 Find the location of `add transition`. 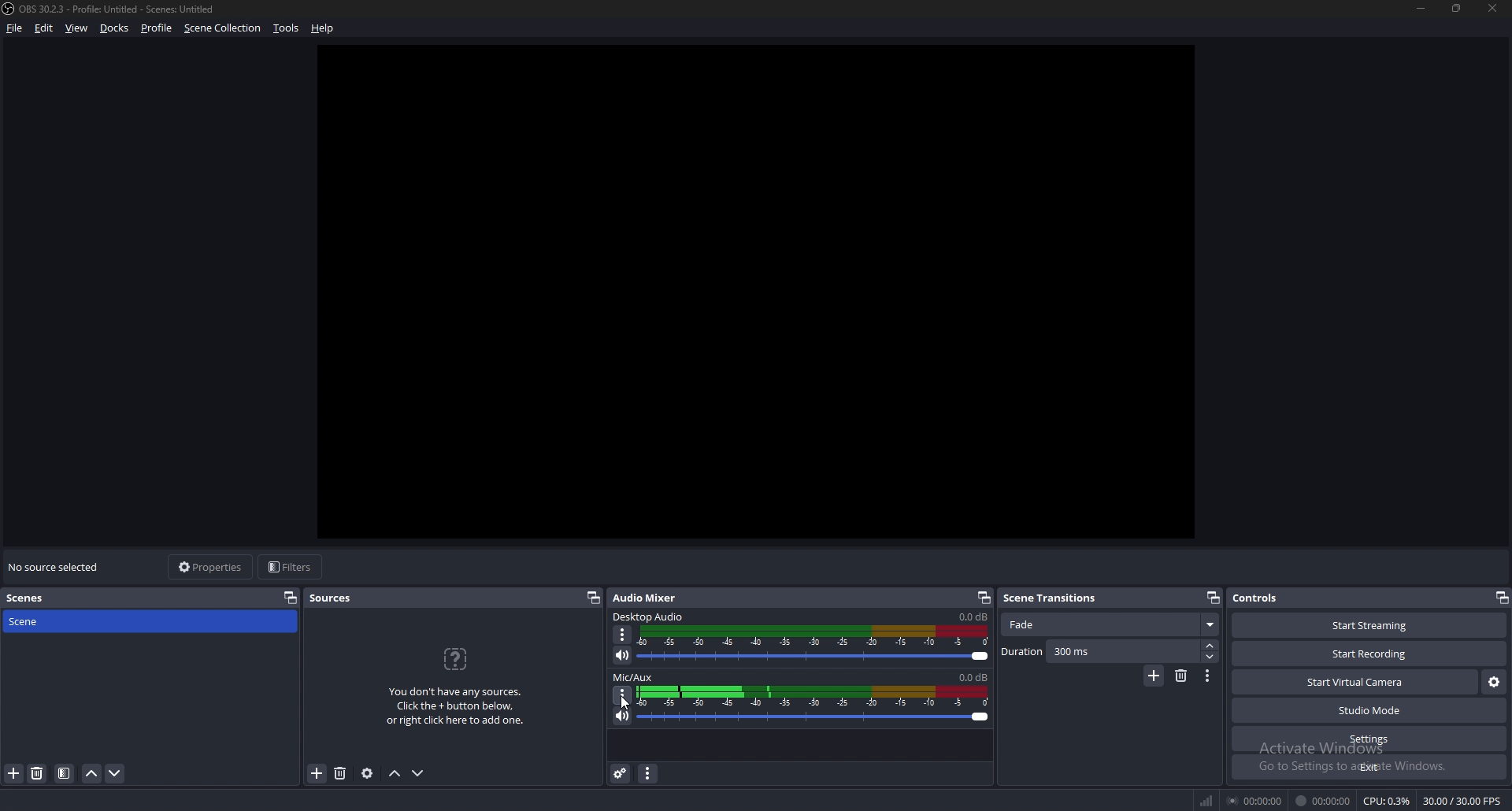

add transition is located at coordinates (1152, 677).